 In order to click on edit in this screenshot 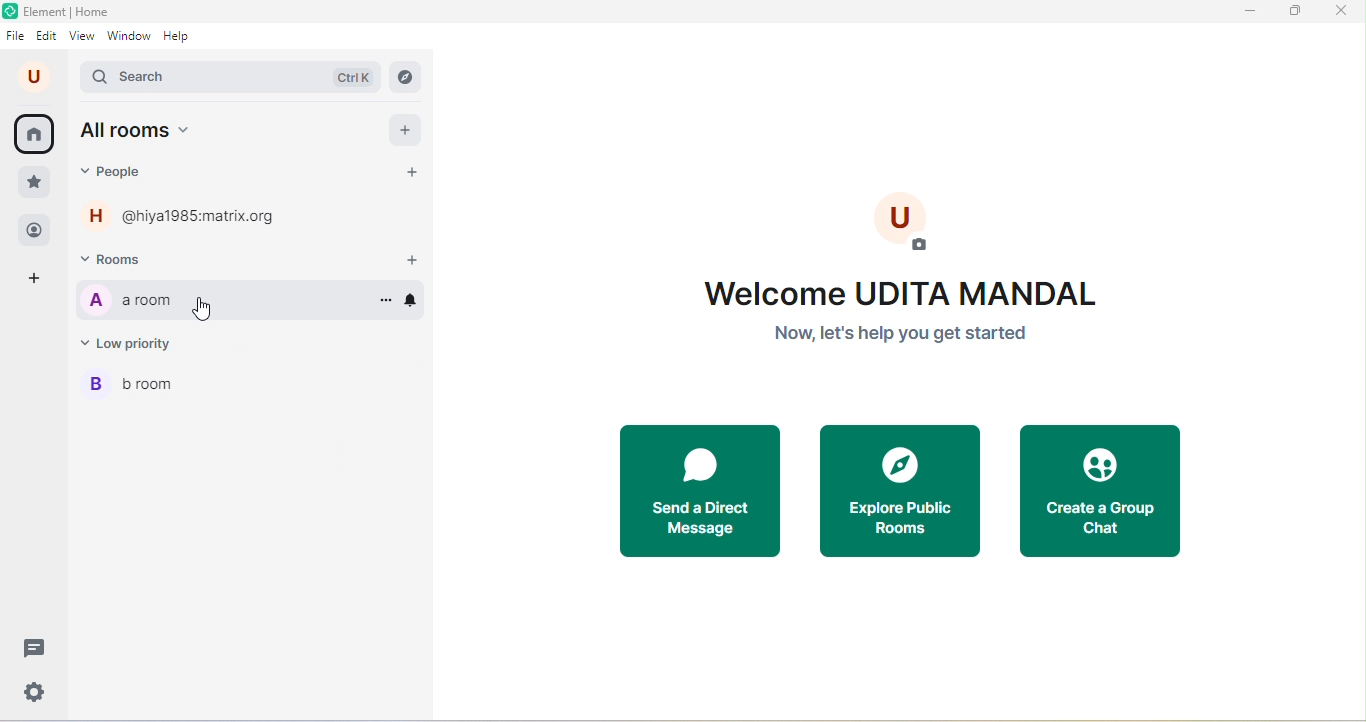, I will do `click(47, 37)`.